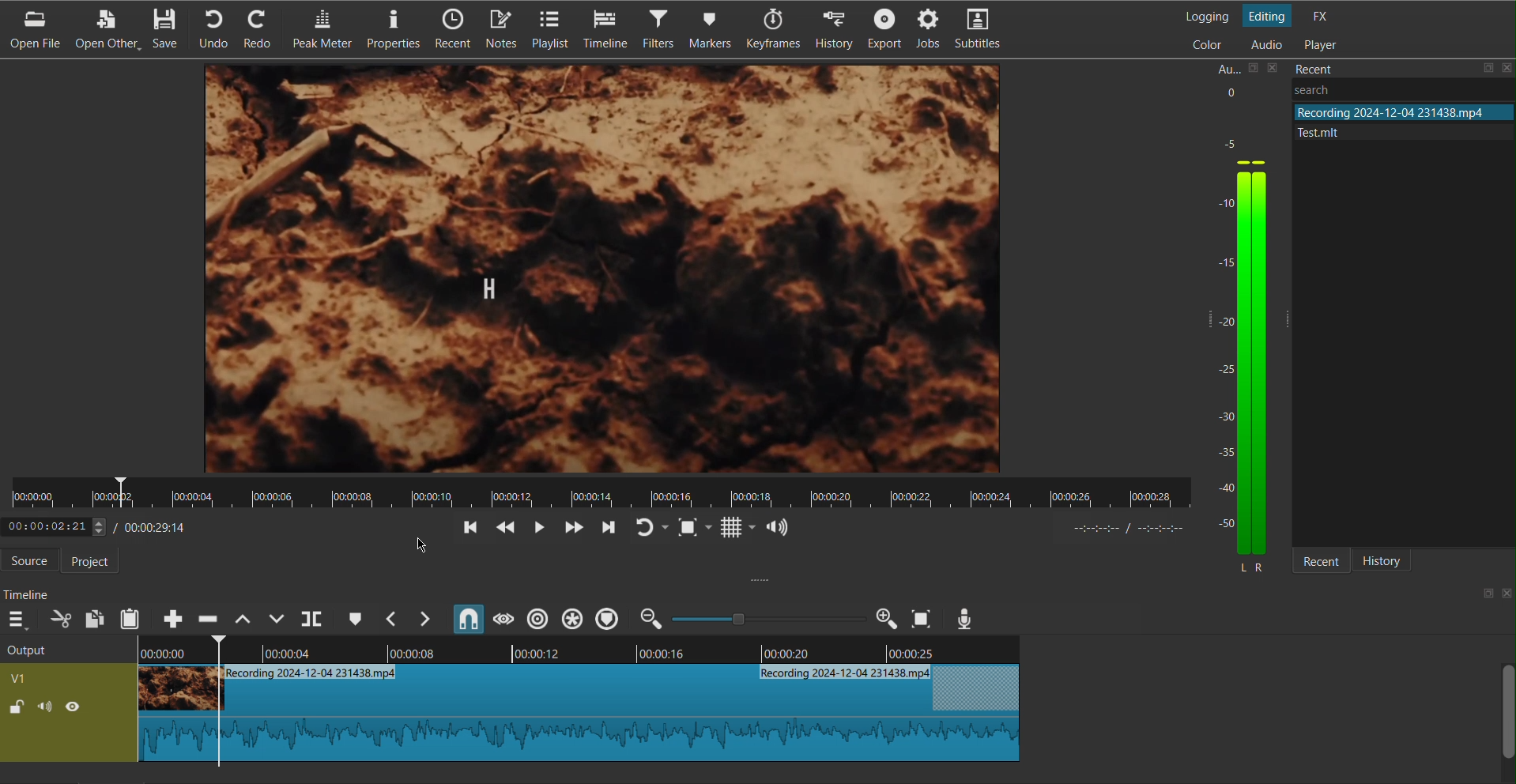 The width and height of the screenshot is (1516, 784). Describe the element at coordinates (692, 528) in the screenshot. I see `Fit to Screen` at that location.